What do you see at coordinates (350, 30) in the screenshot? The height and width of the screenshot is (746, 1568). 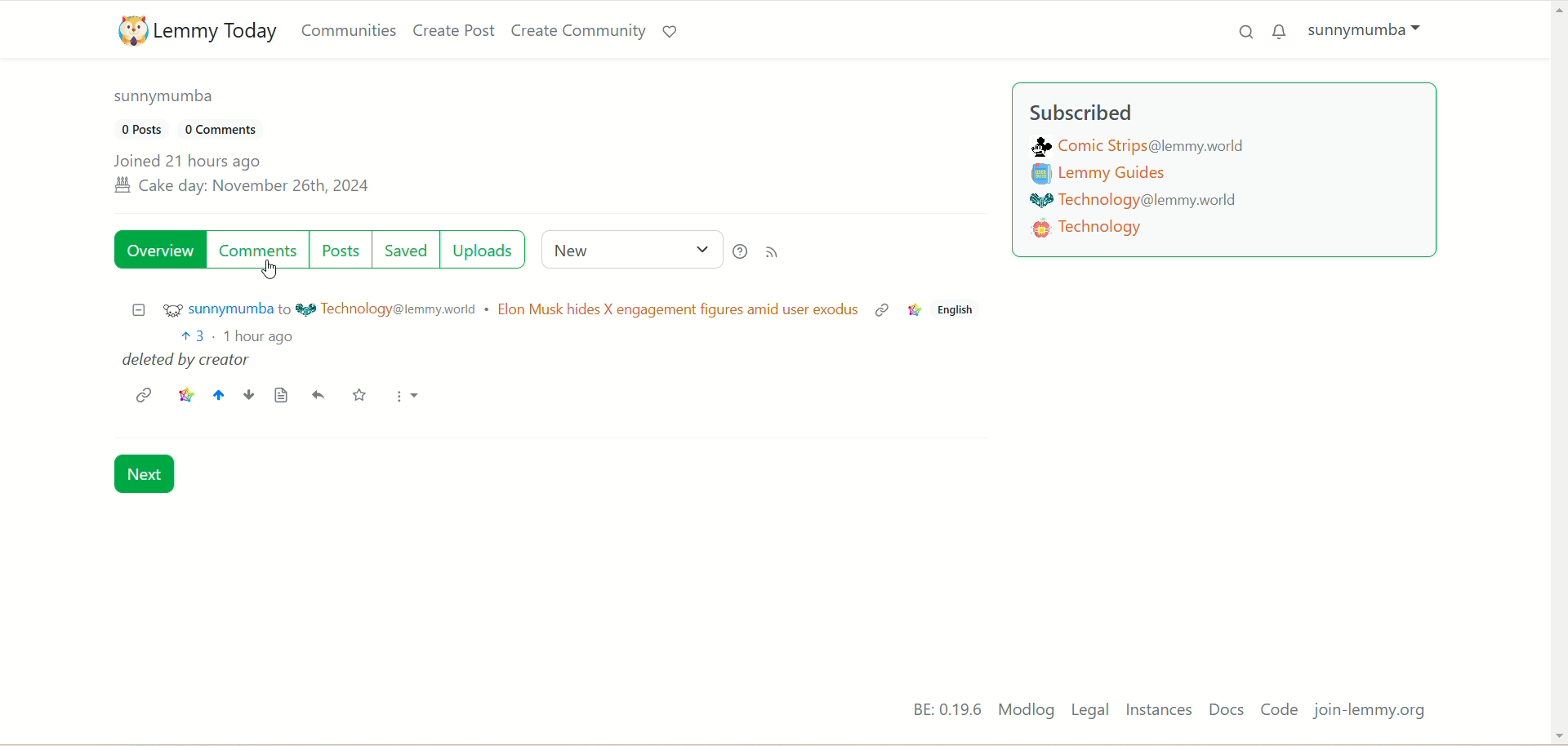 I see `communities` at bounding box center [350, 30].